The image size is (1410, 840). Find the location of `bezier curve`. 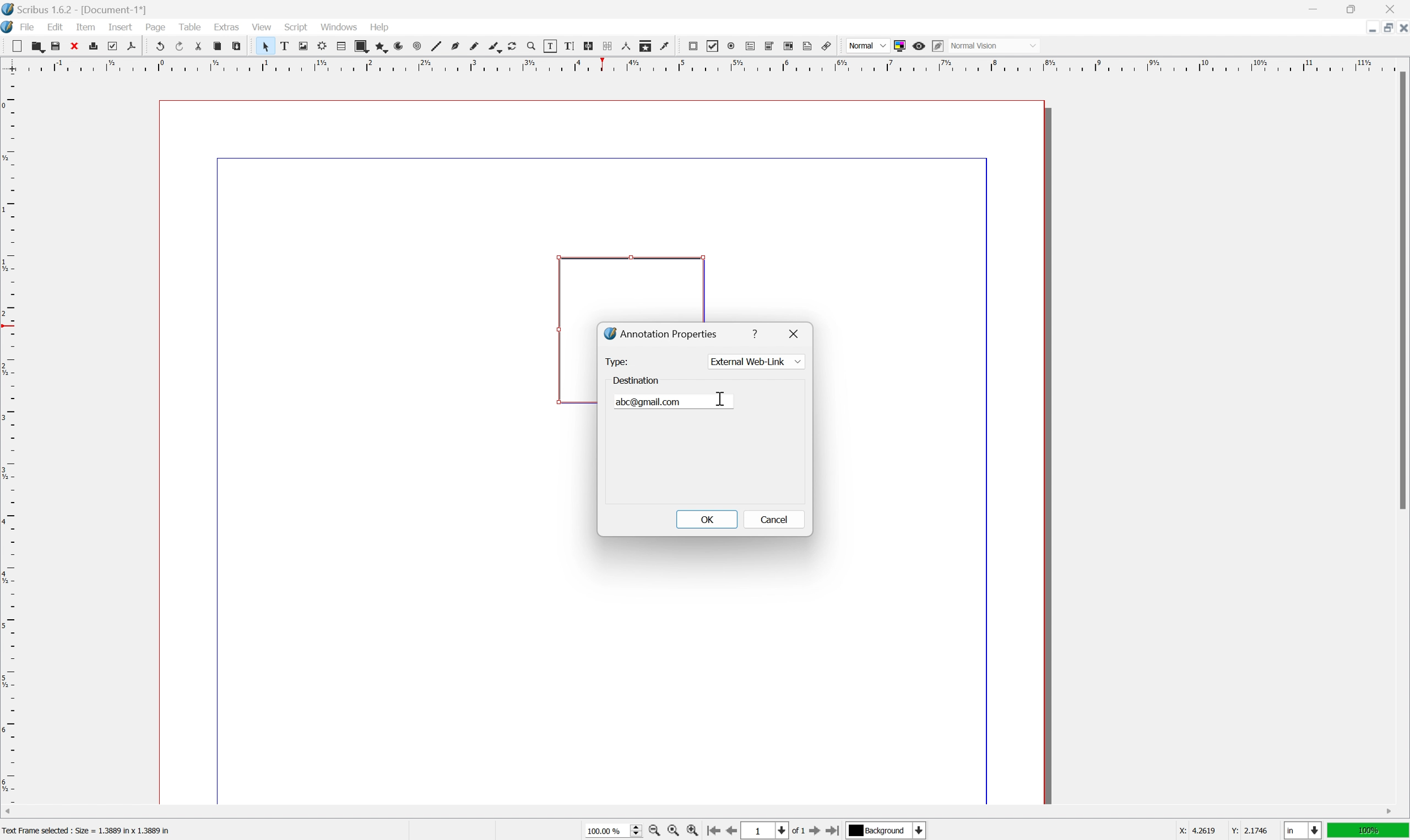

bezier curve is located at coordinates (455, 46).